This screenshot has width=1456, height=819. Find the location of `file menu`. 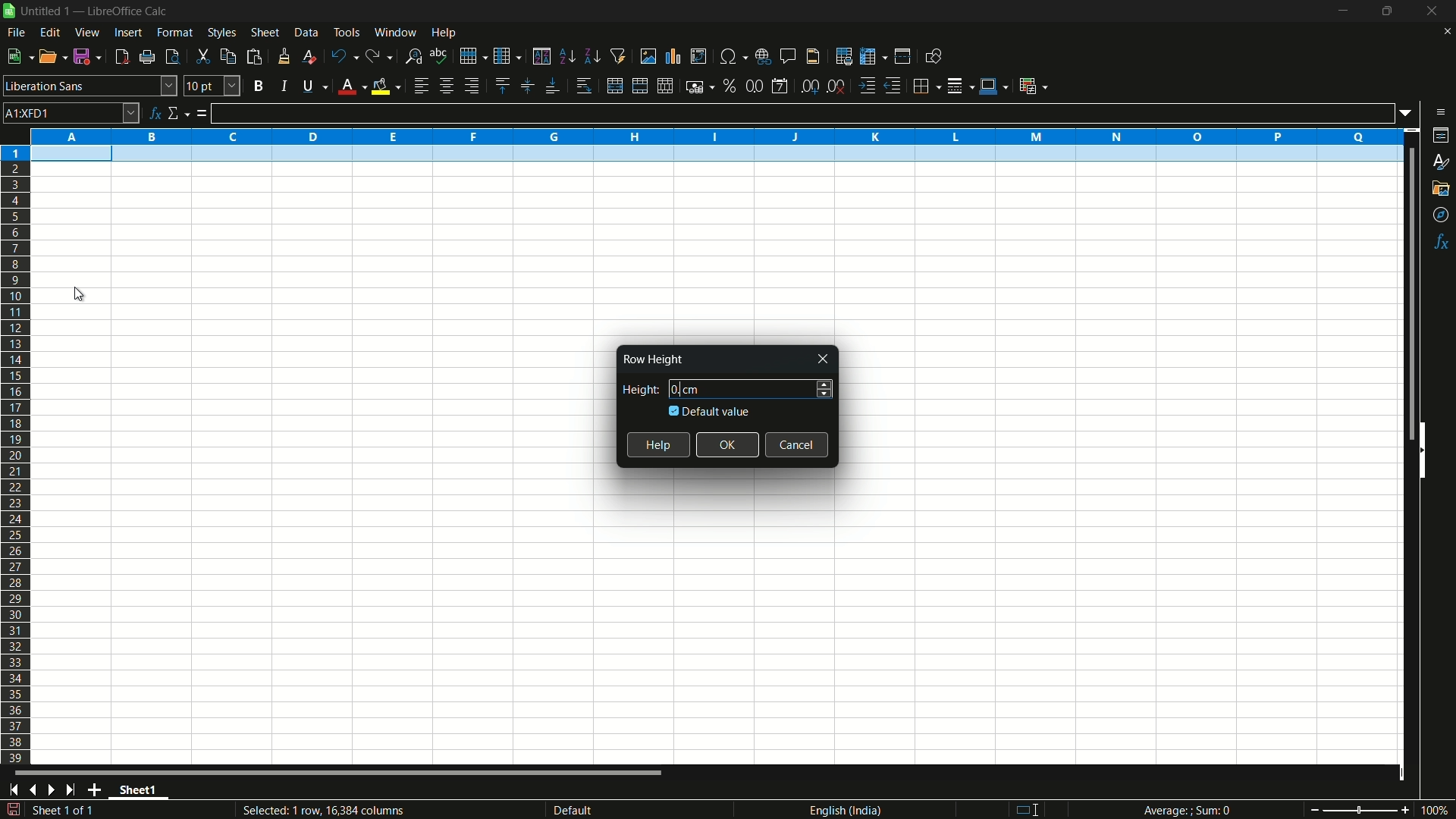

file menu is located at coordinates (16, 33).